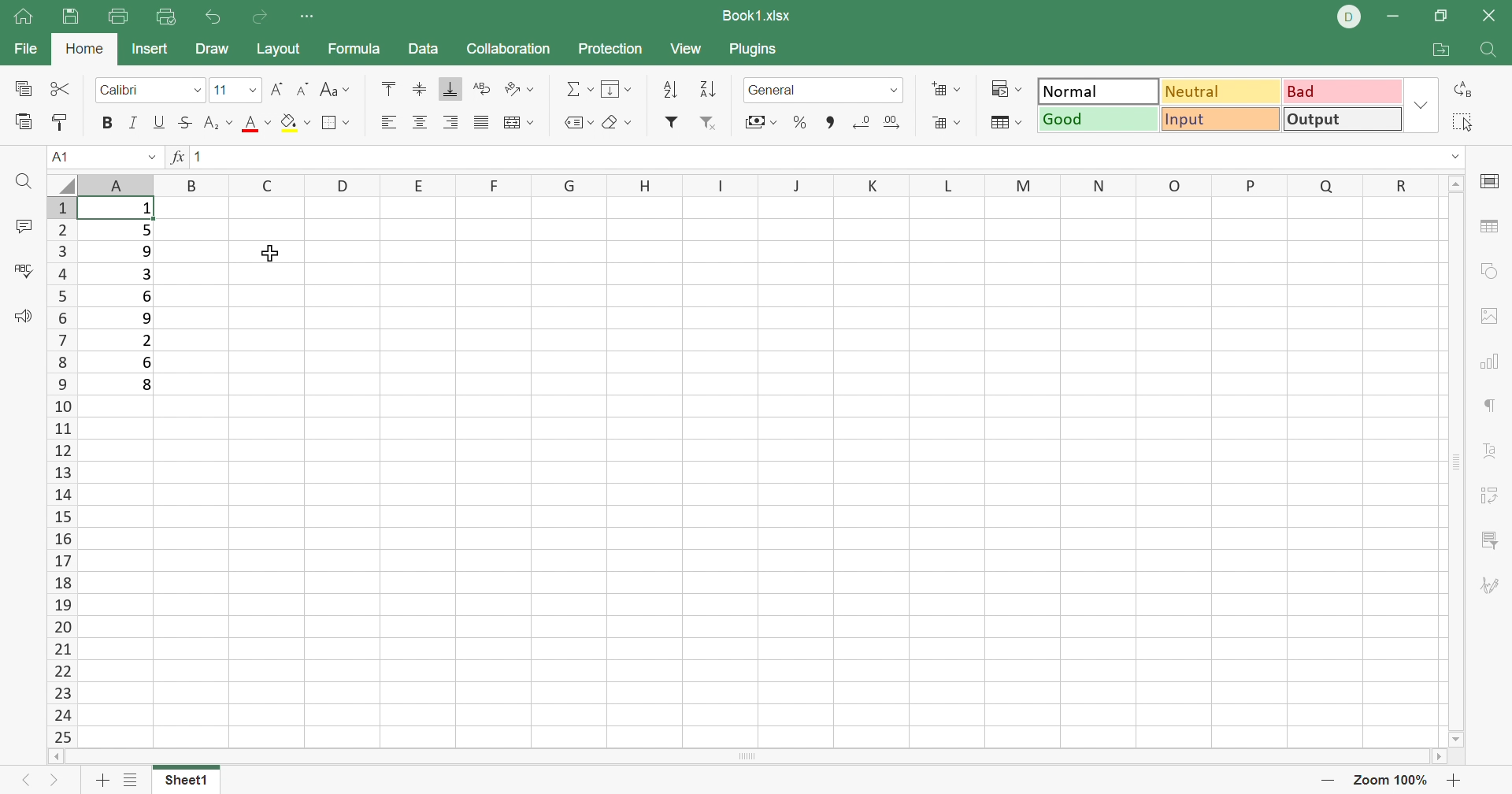 The width and height of the screenshot is (1512, 794). Describe the element at coordinates (179, 155) in the screenshot. I see `fx` at that location.